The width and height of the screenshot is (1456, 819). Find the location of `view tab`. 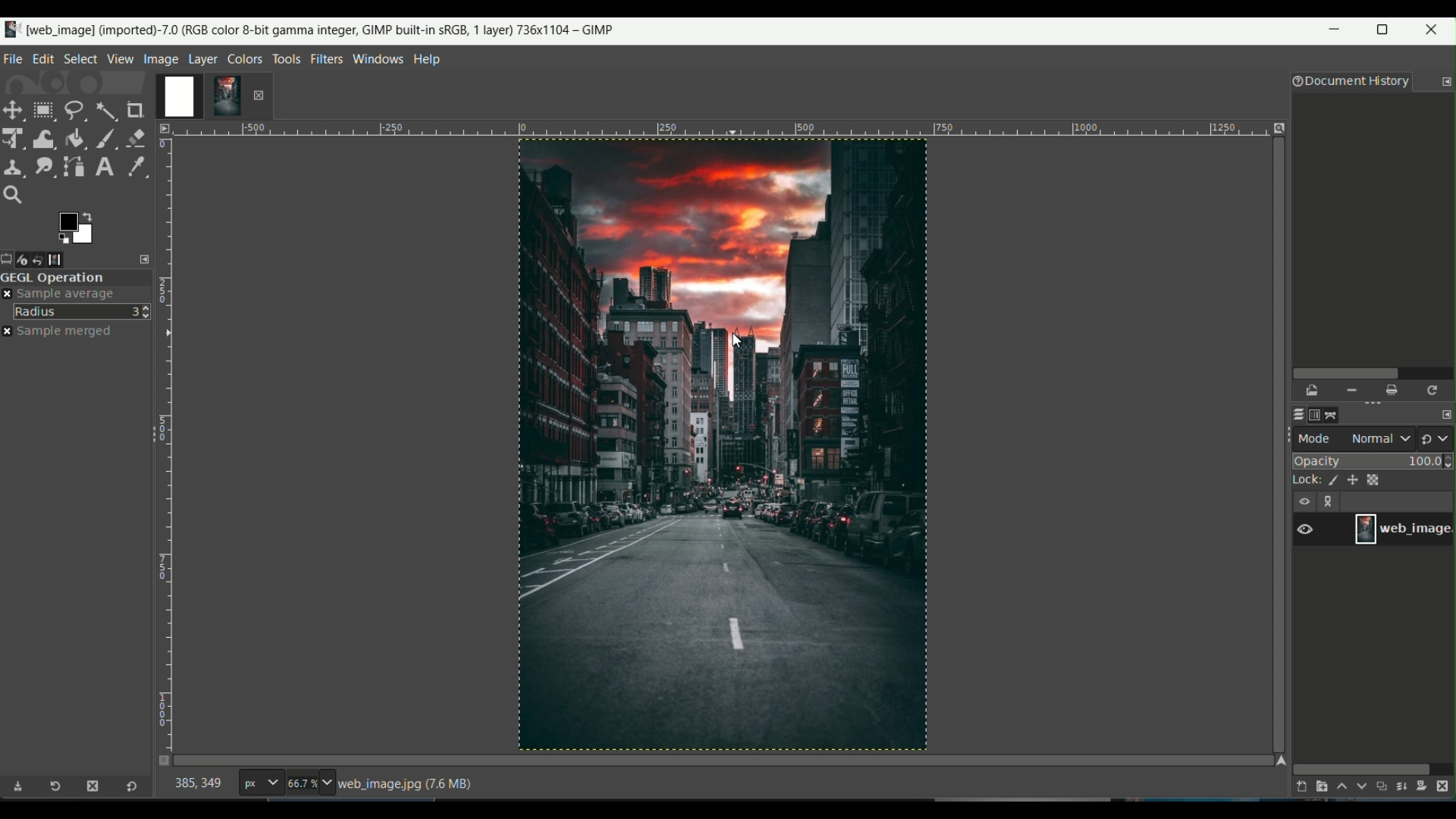

view tab is located at coordinates (118, 58).